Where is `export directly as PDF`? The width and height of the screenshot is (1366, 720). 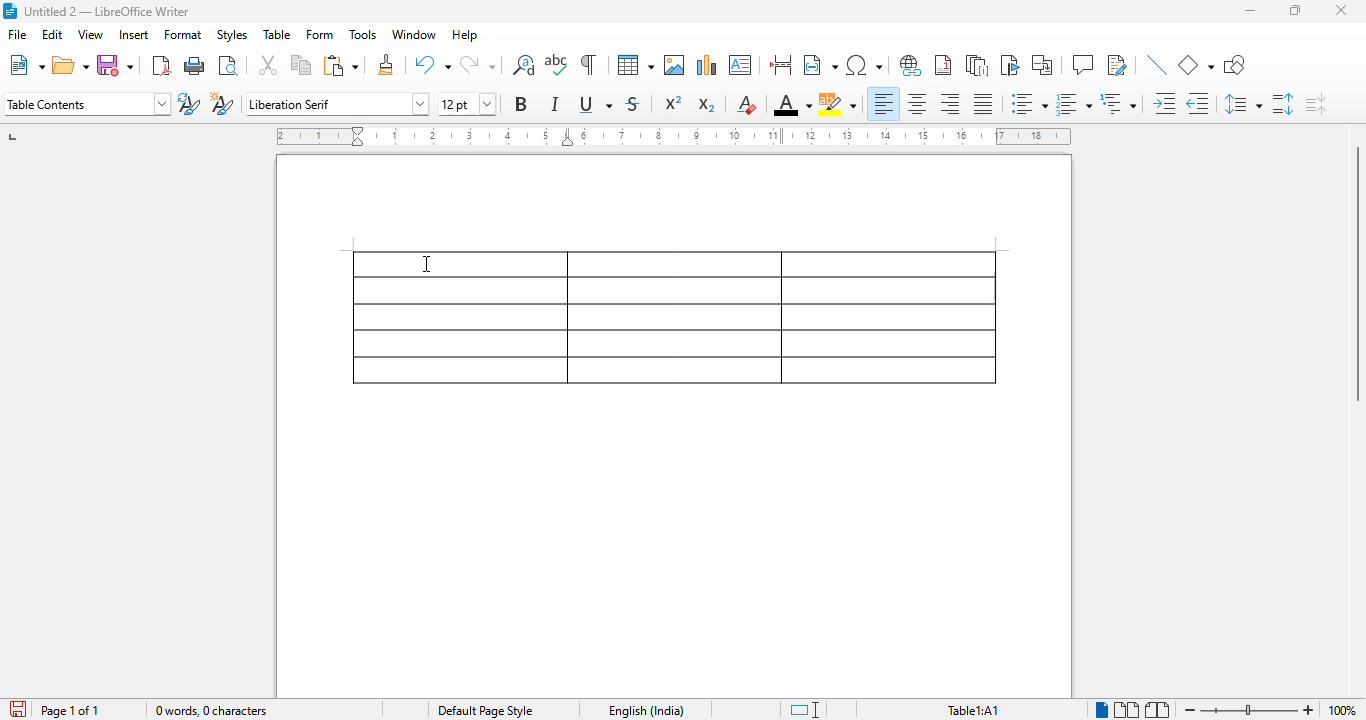
export directly as PDF is located at coordinates (161, 66).